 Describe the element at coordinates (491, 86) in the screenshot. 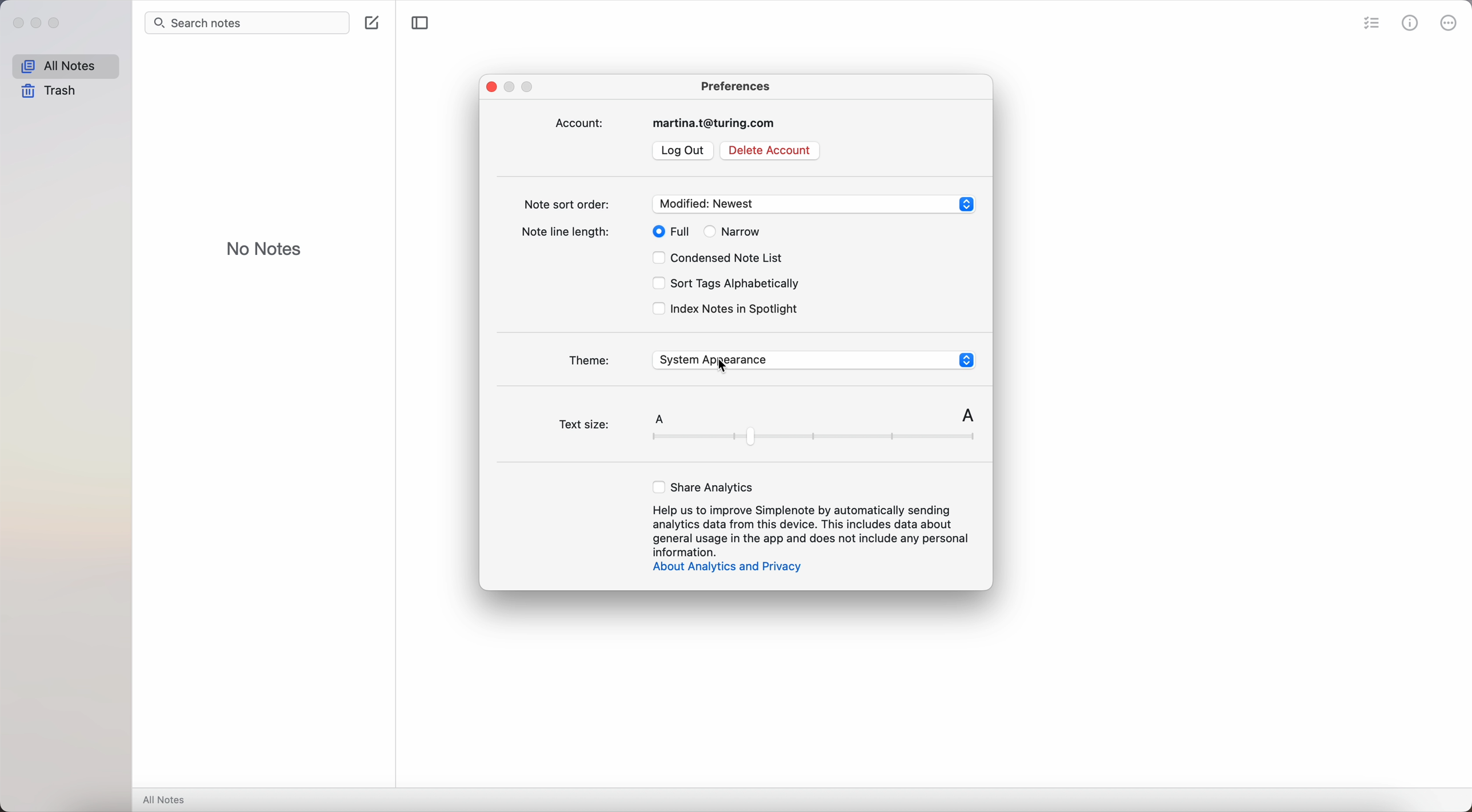

I see `close popup` at that location.